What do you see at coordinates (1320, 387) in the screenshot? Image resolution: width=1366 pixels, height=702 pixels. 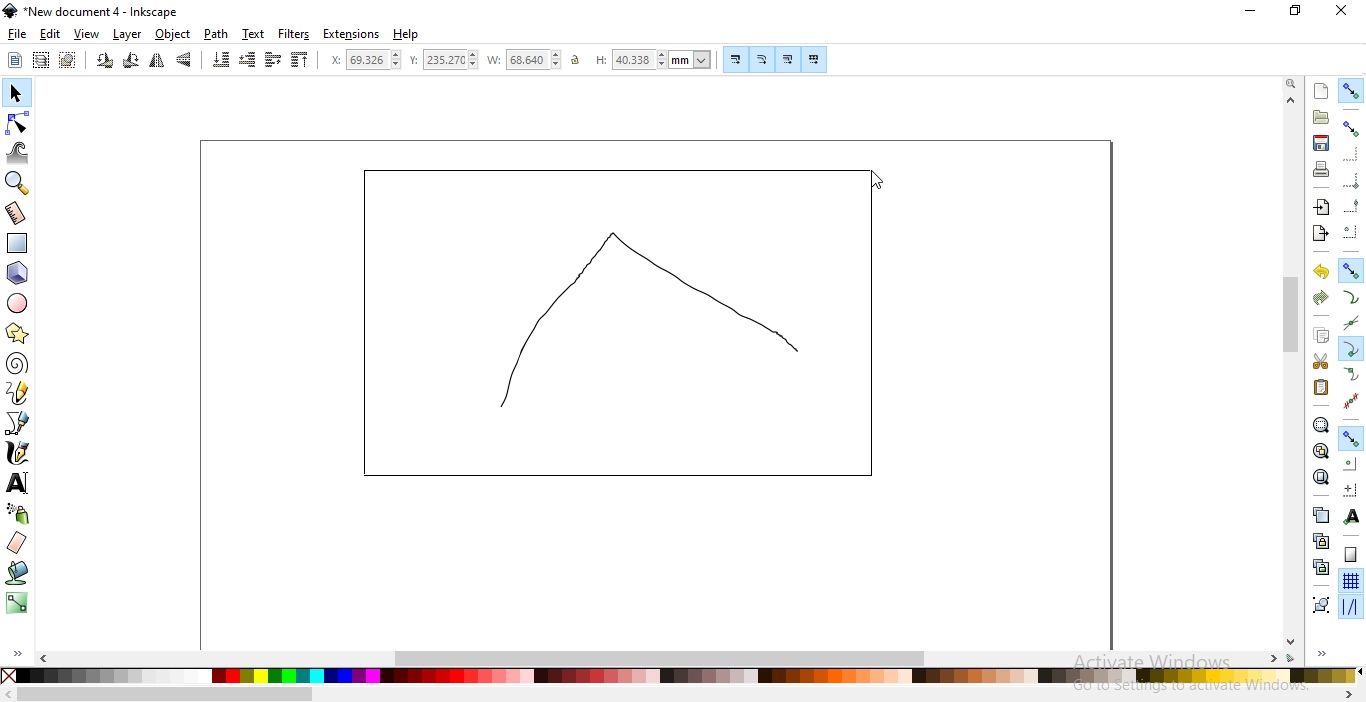 I see `paste` at bounding box center [1320, 387].